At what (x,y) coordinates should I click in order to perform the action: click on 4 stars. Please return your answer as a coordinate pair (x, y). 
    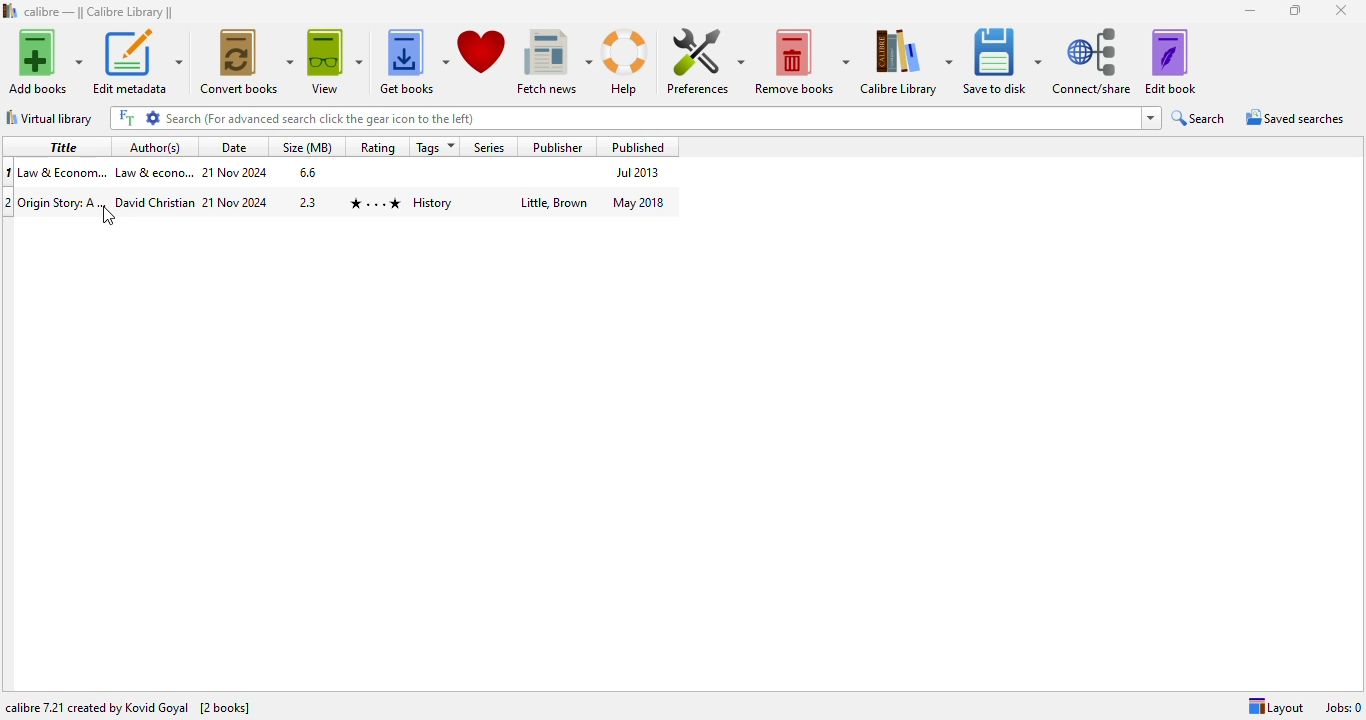
    Looking at the image, I should click on (373, 202).